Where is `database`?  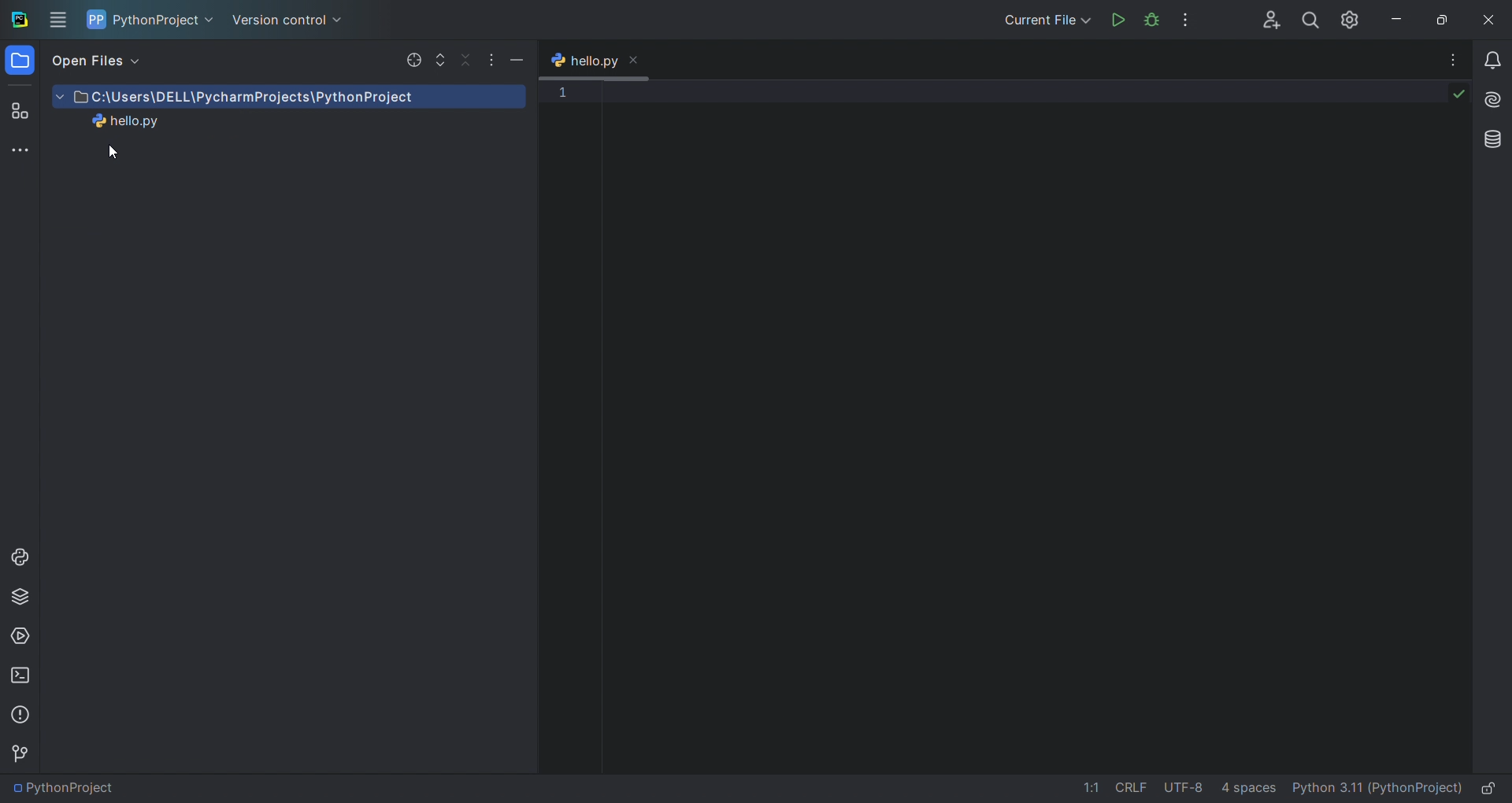
database is located at coordinates (1490, 139).